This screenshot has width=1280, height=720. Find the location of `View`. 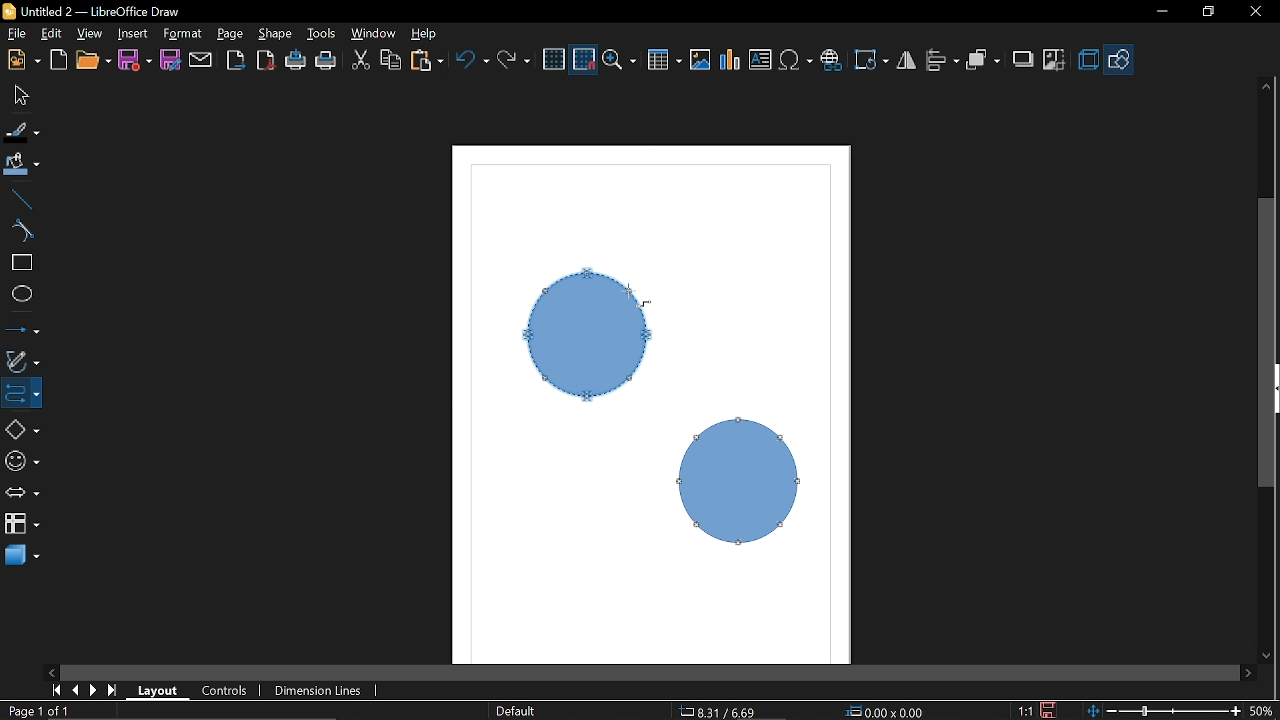

View is located at coordinates (90, 32).